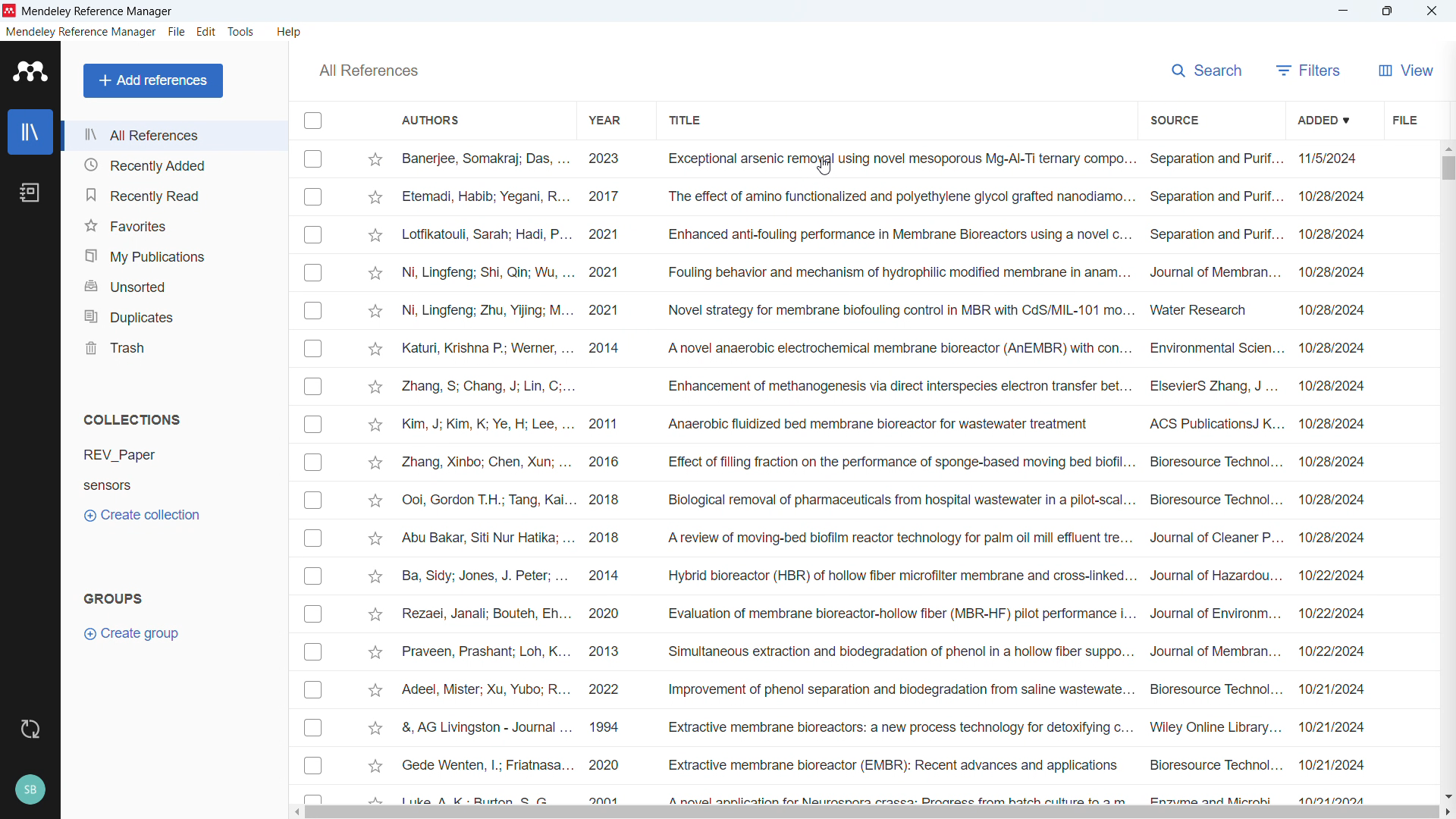 Image resolution: width=1456 pixels, height=819 pixels. I want to click on bioresource techno, so click(1213, 502).